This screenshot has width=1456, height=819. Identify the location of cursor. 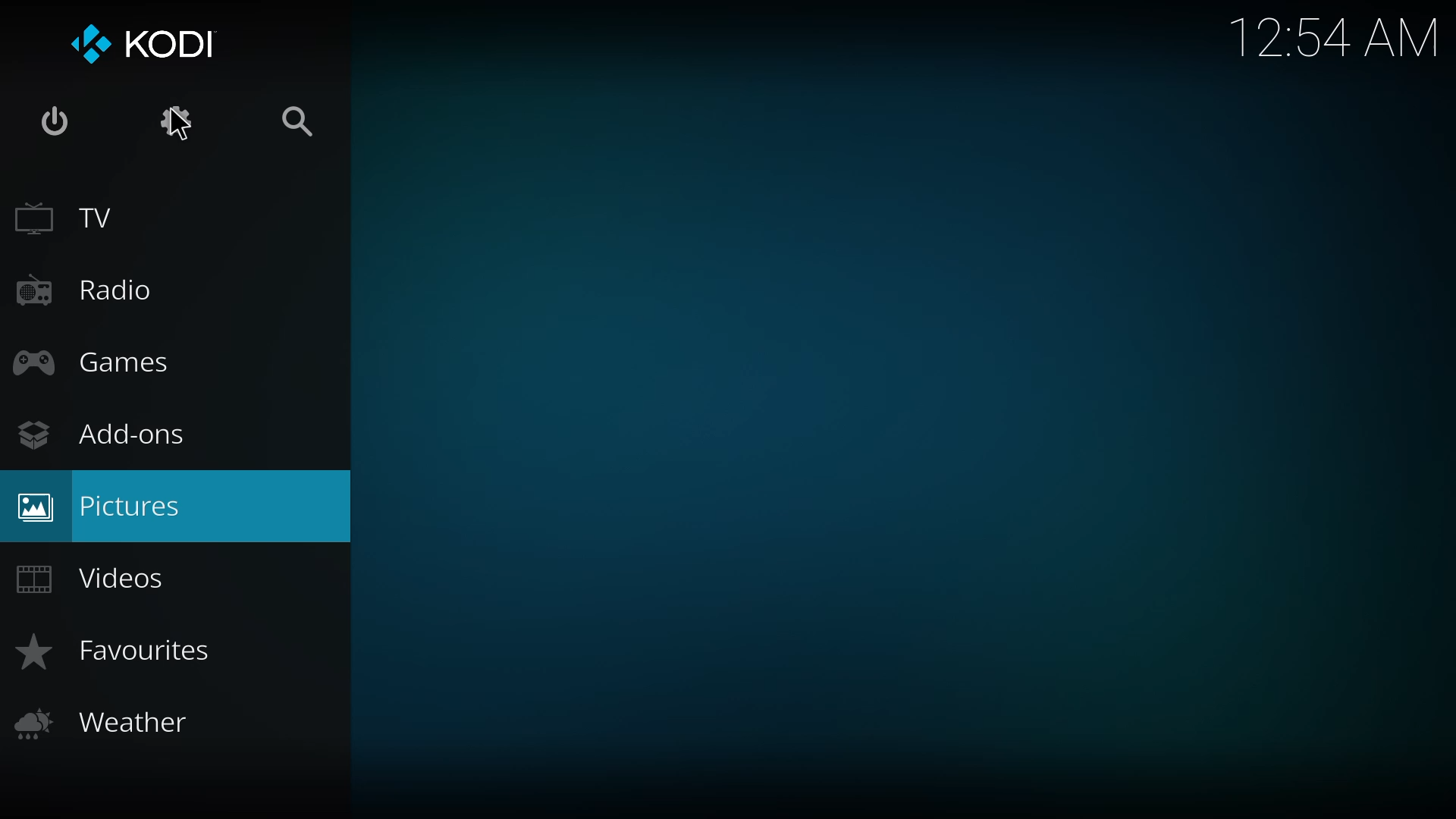
(180, 124).